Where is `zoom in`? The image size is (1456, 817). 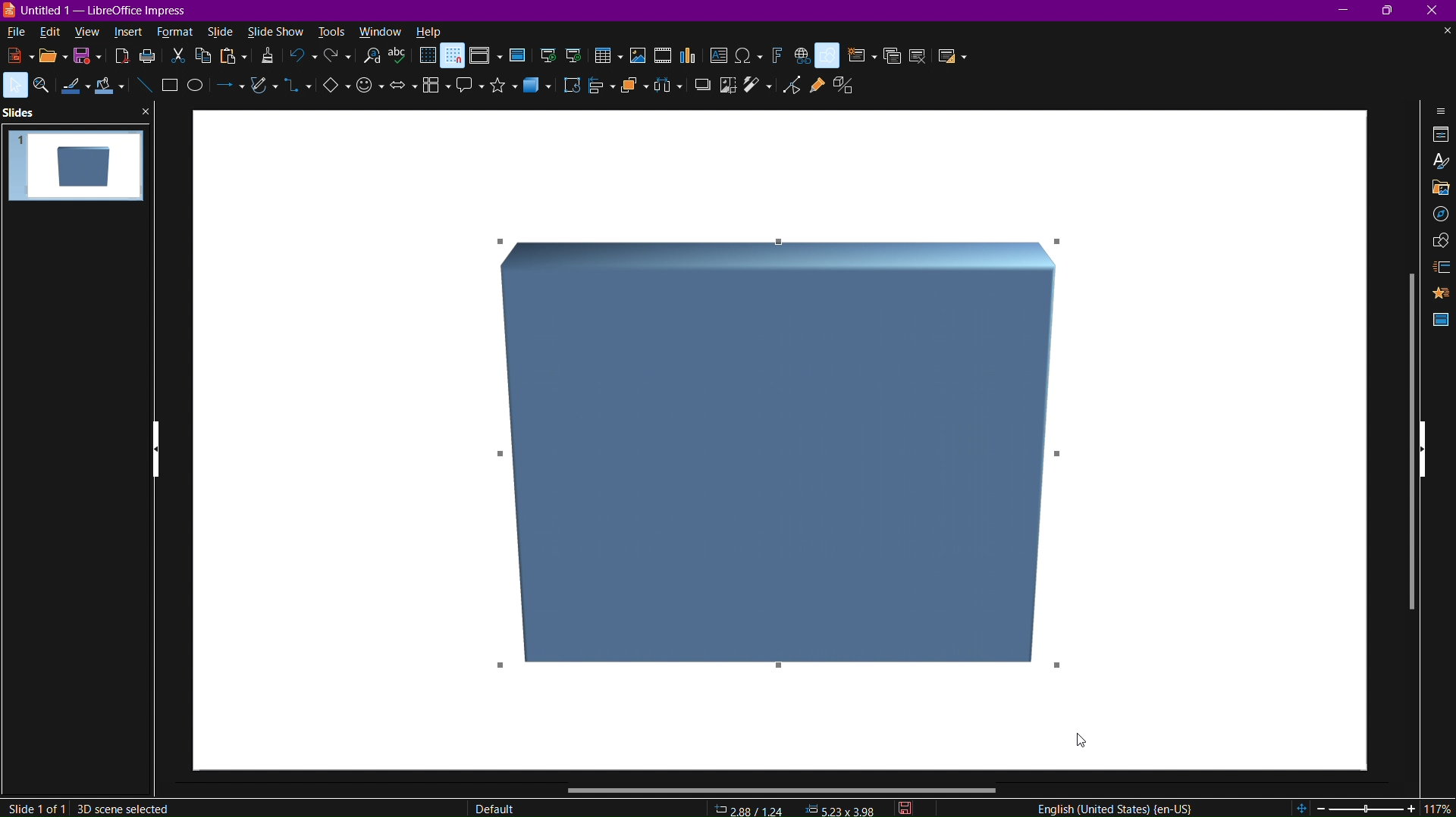 zoom in is located at coordinates (1412, 808).